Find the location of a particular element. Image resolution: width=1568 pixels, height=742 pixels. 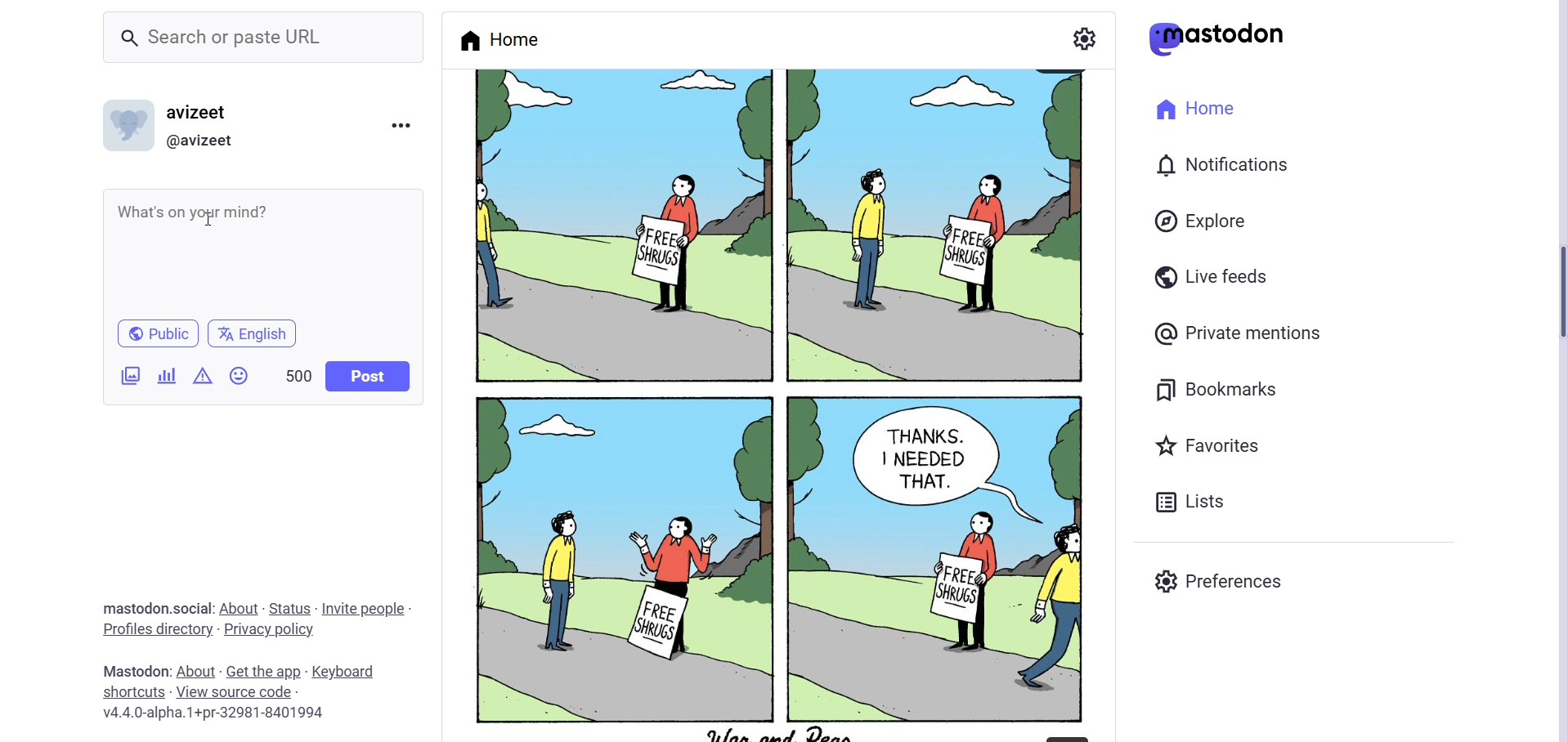

@ Username is located at coordinates (208, 141).